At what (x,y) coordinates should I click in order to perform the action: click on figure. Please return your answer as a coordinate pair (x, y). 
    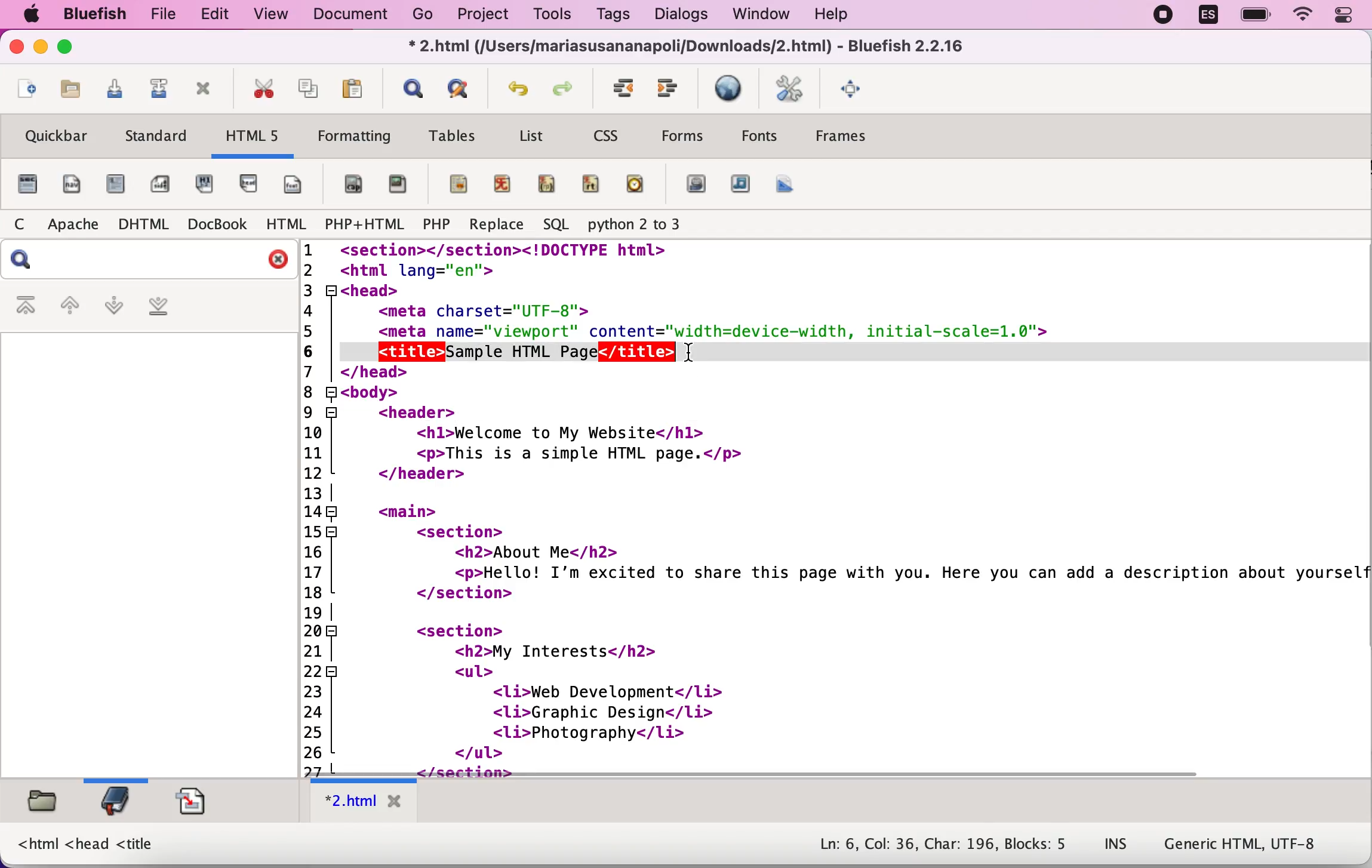
    Looking at the image, I should click on (400, 184).